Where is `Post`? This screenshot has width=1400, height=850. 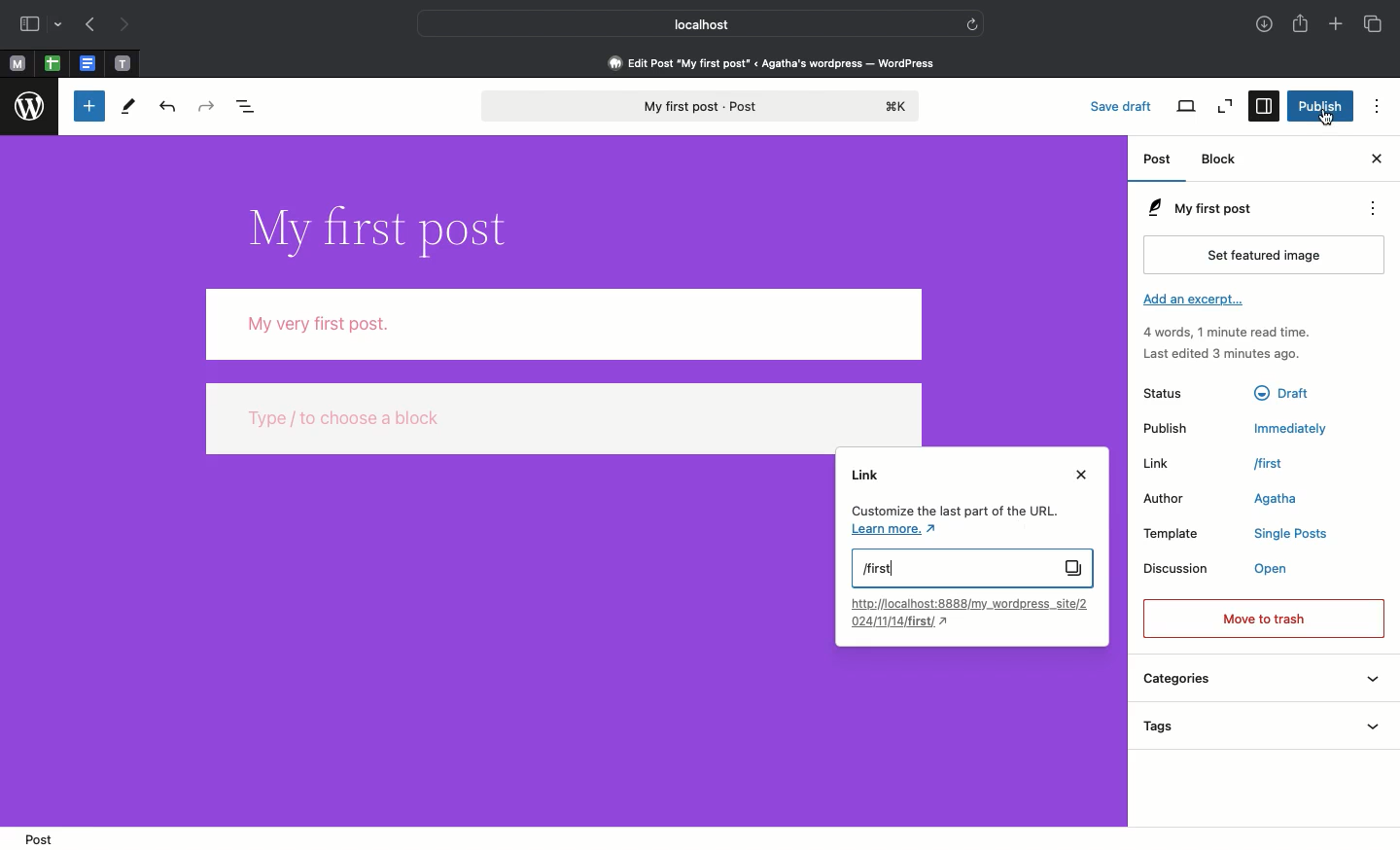
Post is located at coordinates (1159, 159).